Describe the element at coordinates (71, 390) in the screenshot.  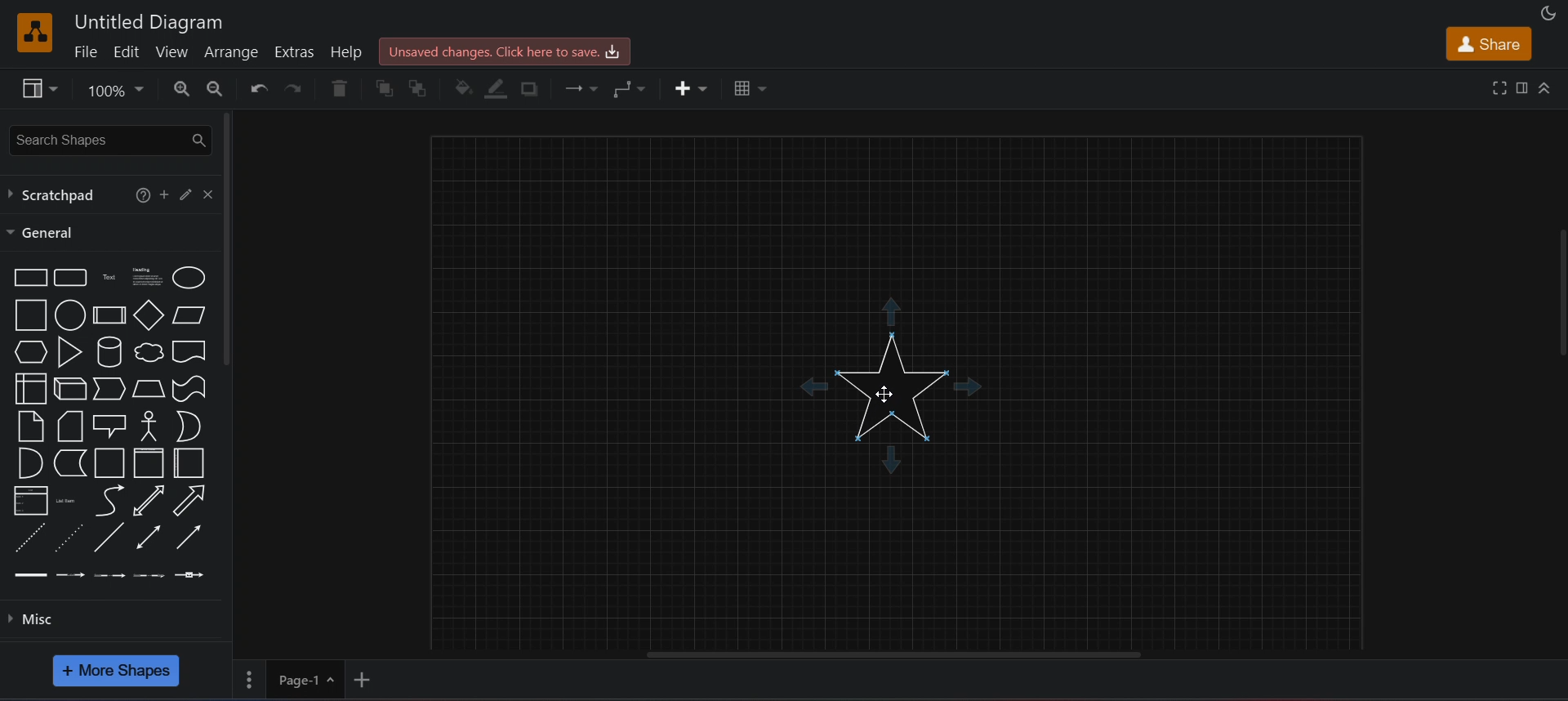
I see `cube` at that location.